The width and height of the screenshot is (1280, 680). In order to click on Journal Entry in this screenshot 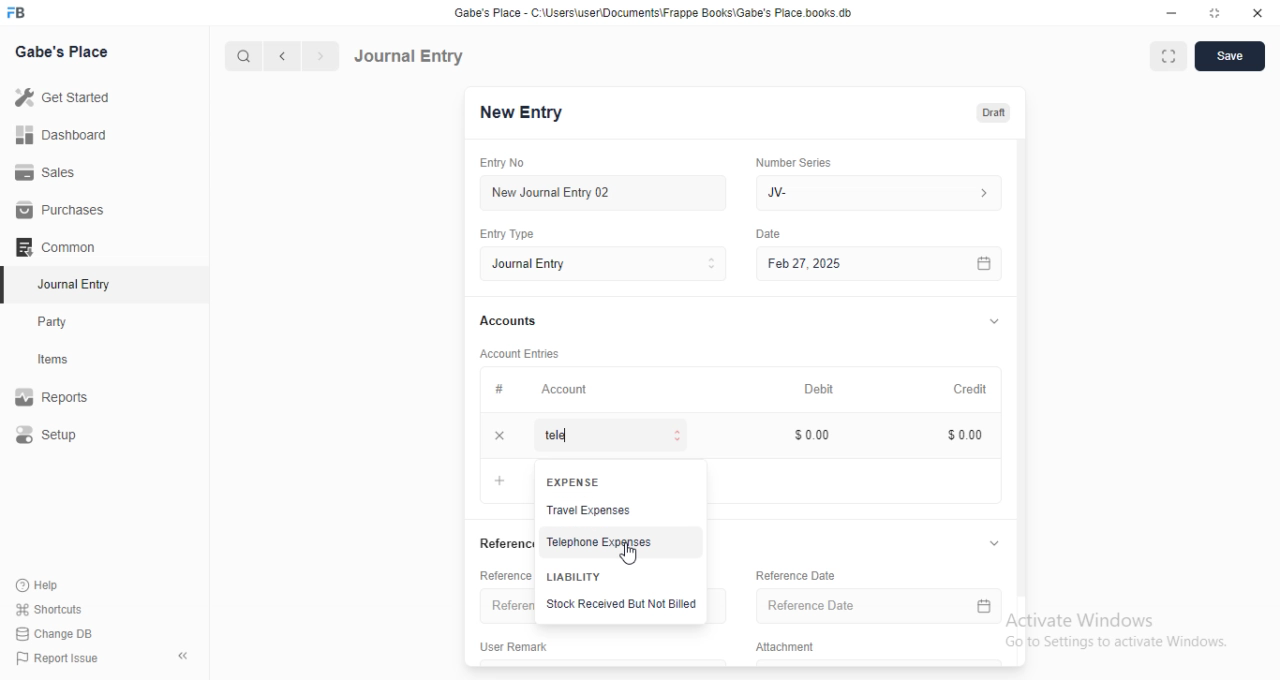, I will do `click(603, 264)`.